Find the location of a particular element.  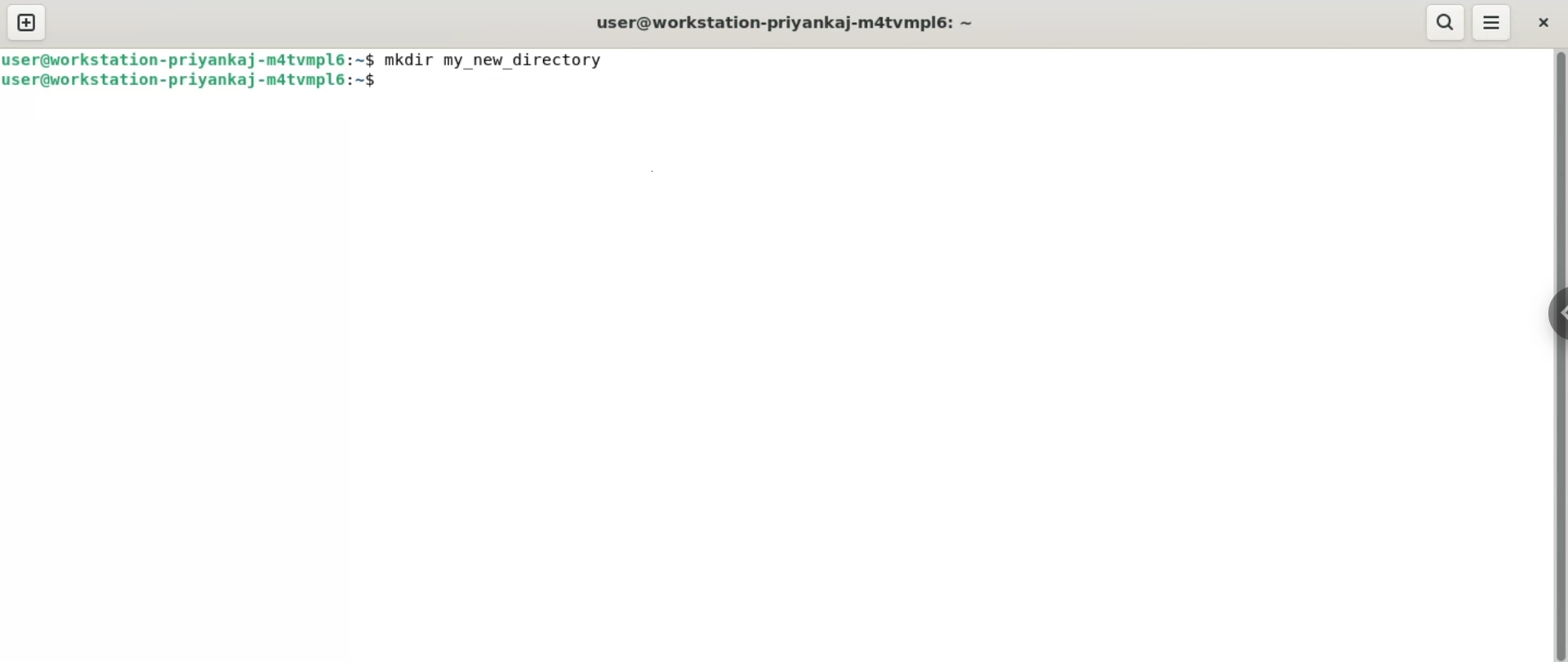

user@workstation-priyankaj-m4tvmpl6: ~  is located at coordinates (777, 23).